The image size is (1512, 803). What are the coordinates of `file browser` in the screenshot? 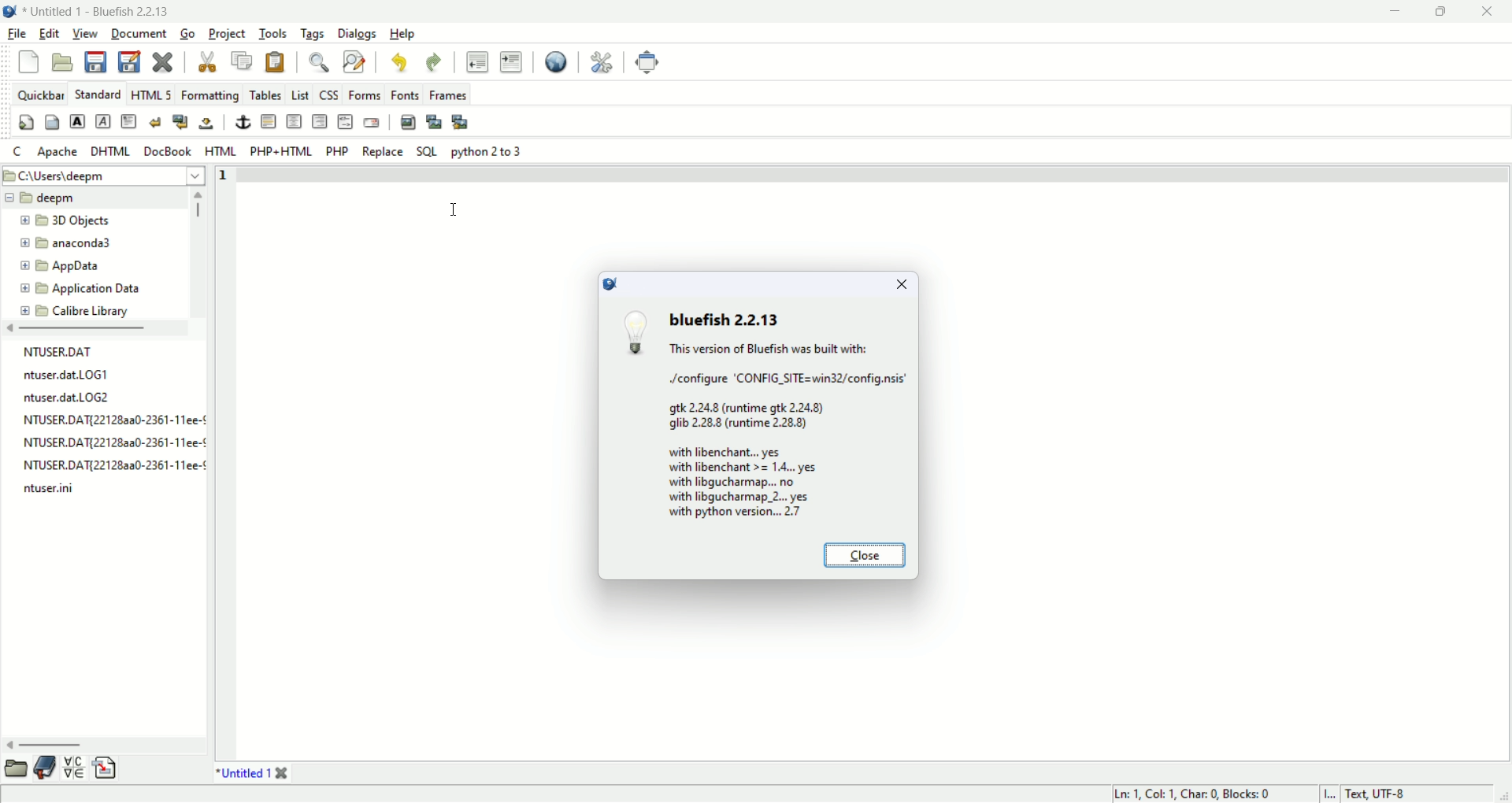 It's located at (16, 767).